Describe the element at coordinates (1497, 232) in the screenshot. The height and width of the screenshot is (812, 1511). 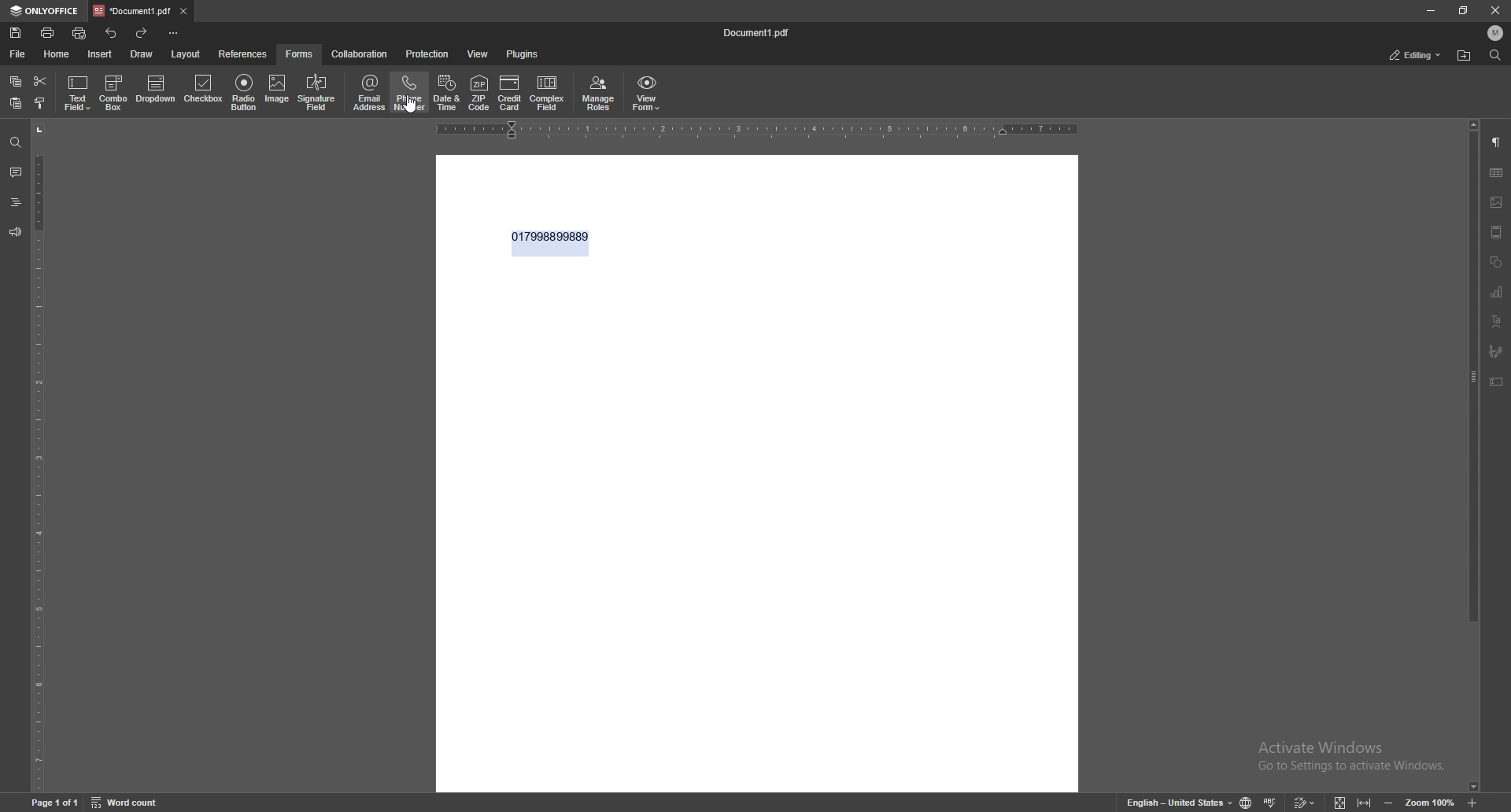
I see `header and footer` at that location.